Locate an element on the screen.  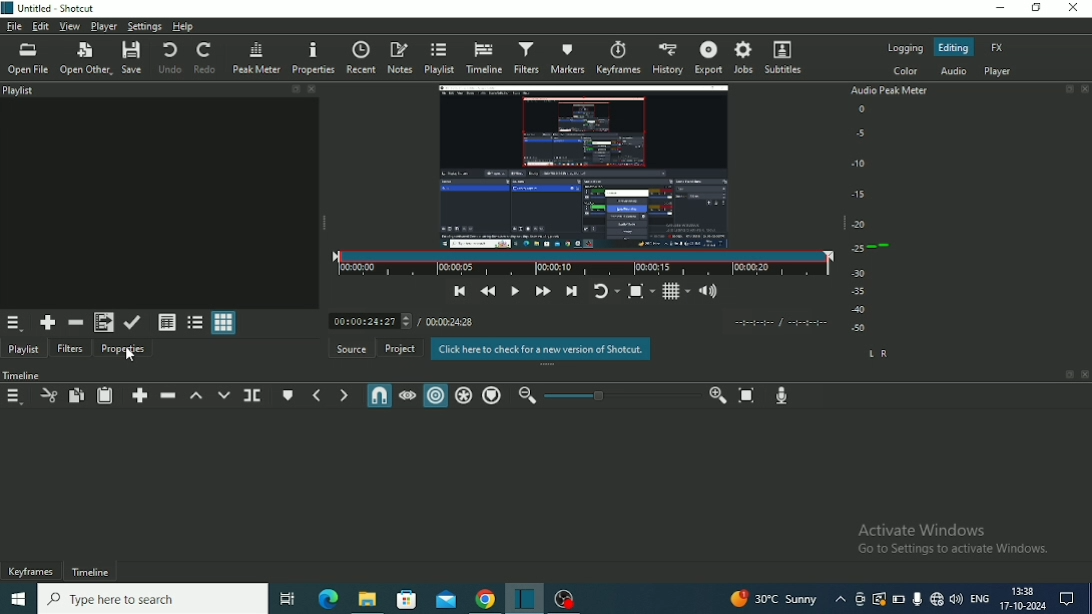
Append is located at coordinates (139, 396).